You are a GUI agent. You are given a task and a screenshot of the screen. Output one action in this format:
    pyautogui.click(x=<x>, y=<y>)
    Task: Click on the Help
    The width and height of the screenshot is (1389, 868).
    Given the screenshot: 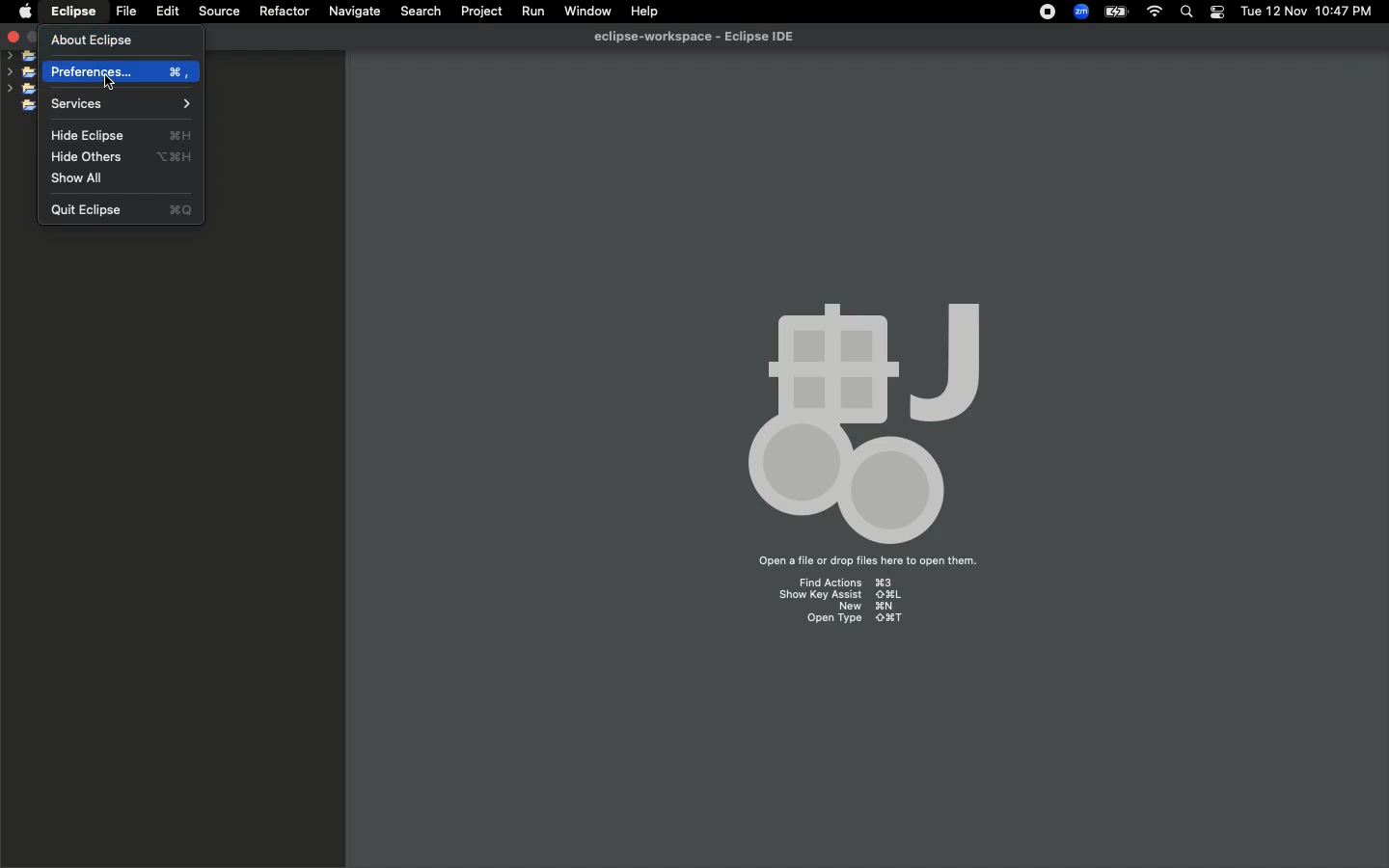 What is the action you would take?
    pyautogui.click(x=644, y=12)
    